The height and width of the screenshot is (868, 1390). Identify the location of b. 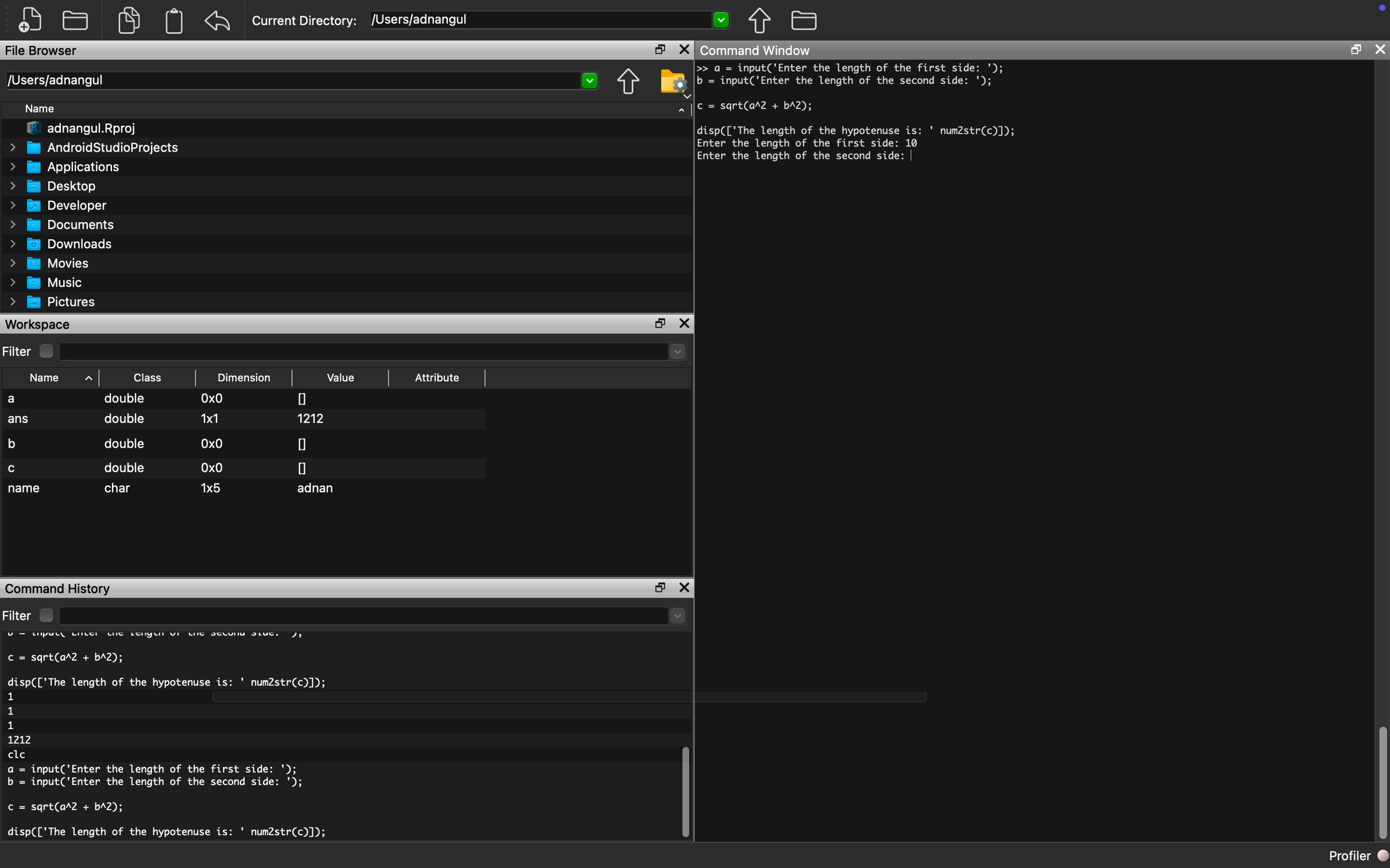
(17, 442).